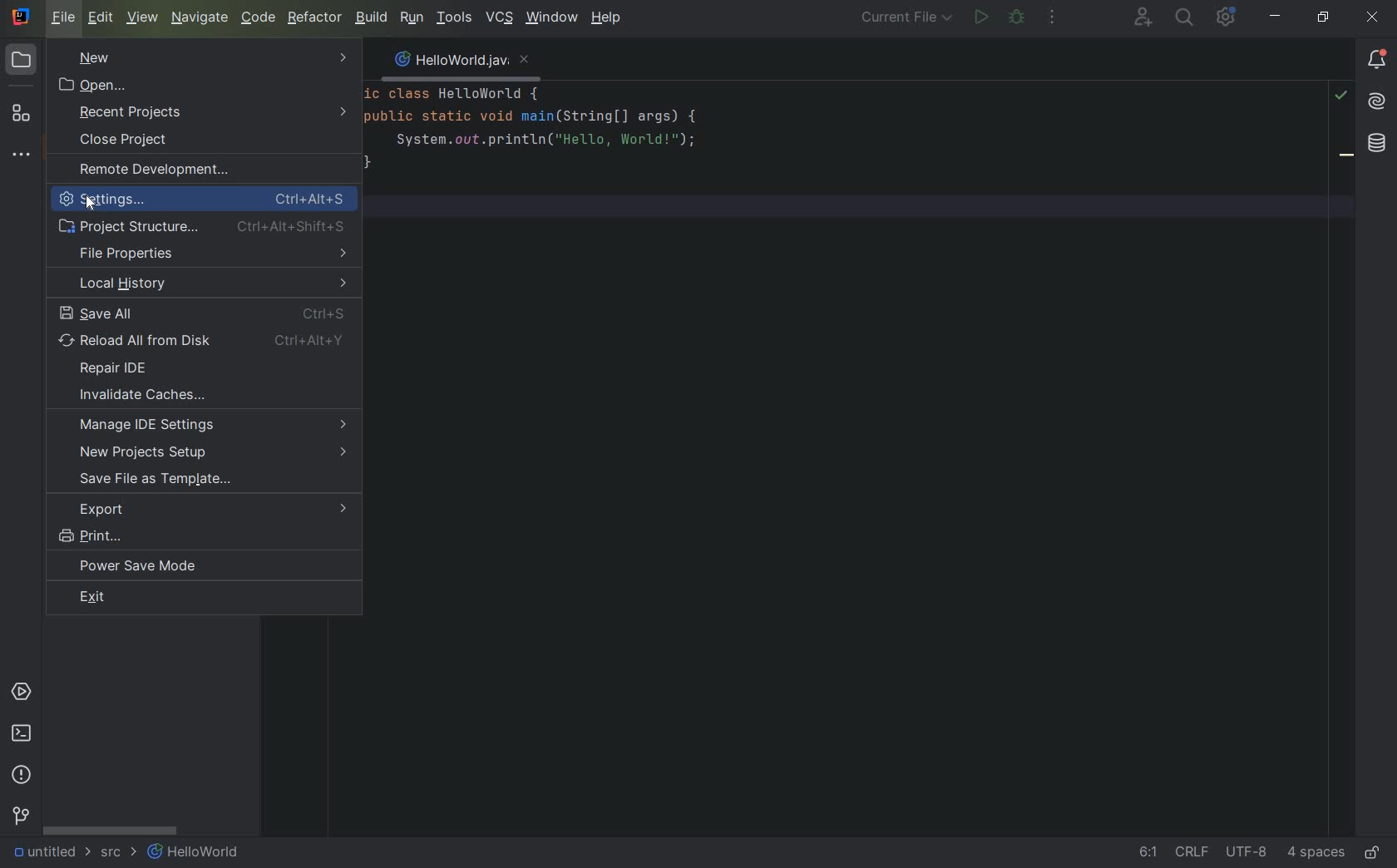 The image size is (1397, 868). Describe the element at coordinates (205, 199) in the screenshot. I see `settings` at that location.